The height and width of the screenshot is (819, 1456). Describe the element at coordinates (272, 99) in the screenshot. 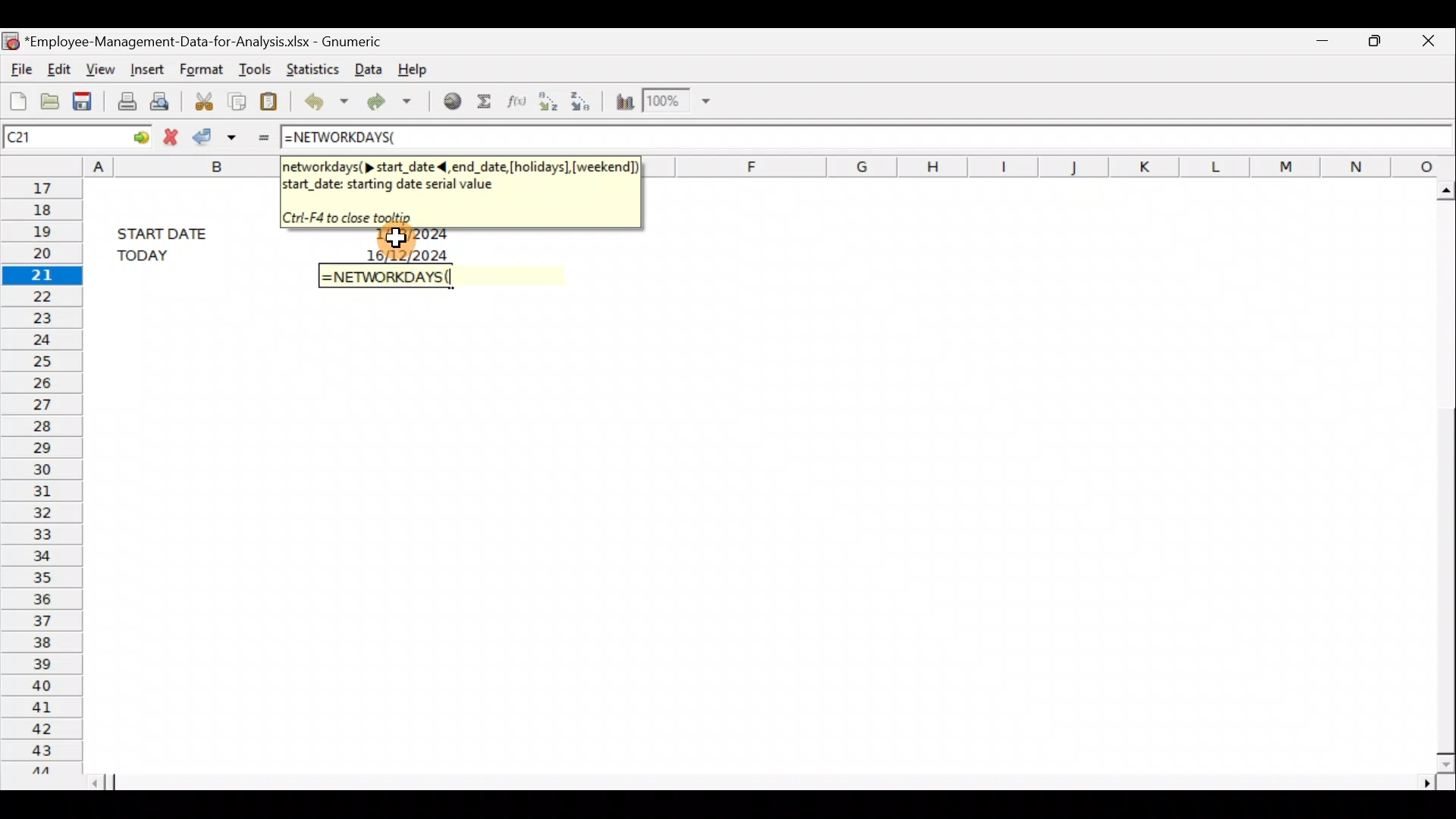

I see `Paste the clipboard` at that location.